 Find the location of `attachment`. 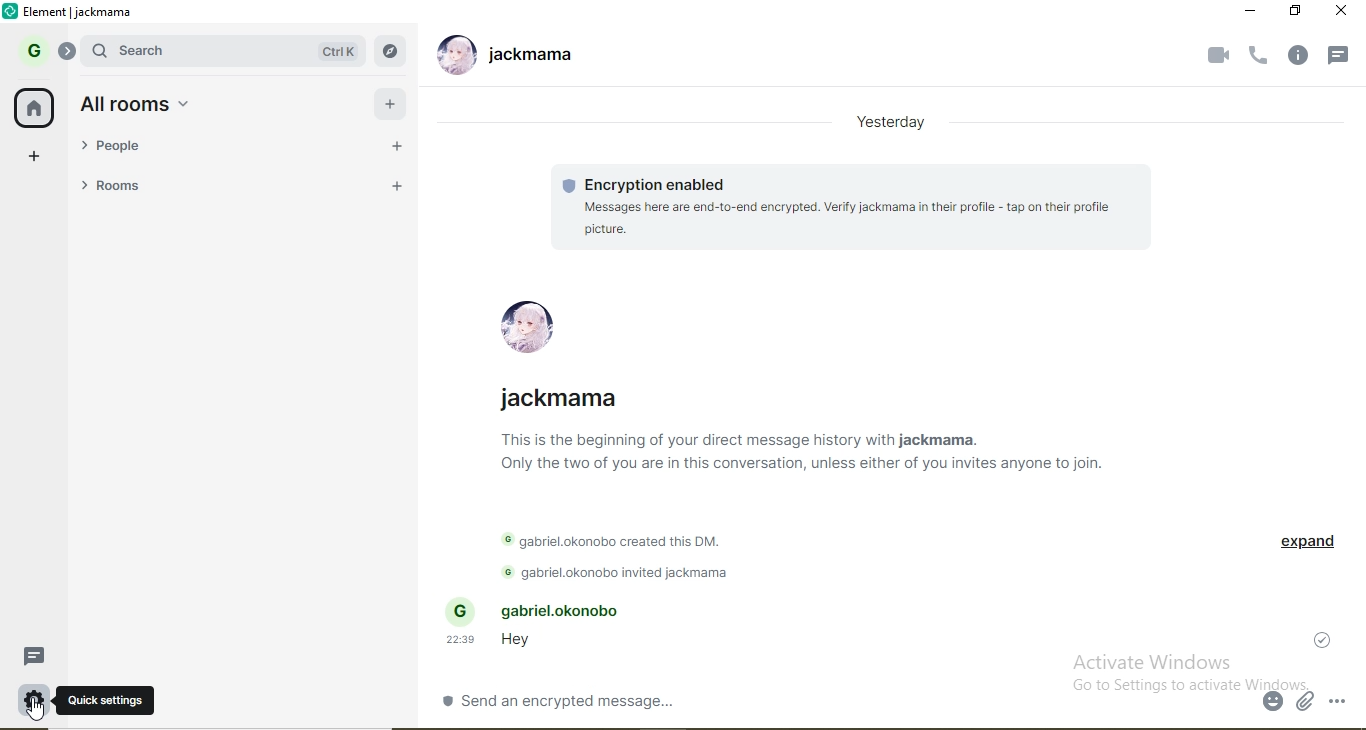

attachment is located at coordinates (1307, 704).